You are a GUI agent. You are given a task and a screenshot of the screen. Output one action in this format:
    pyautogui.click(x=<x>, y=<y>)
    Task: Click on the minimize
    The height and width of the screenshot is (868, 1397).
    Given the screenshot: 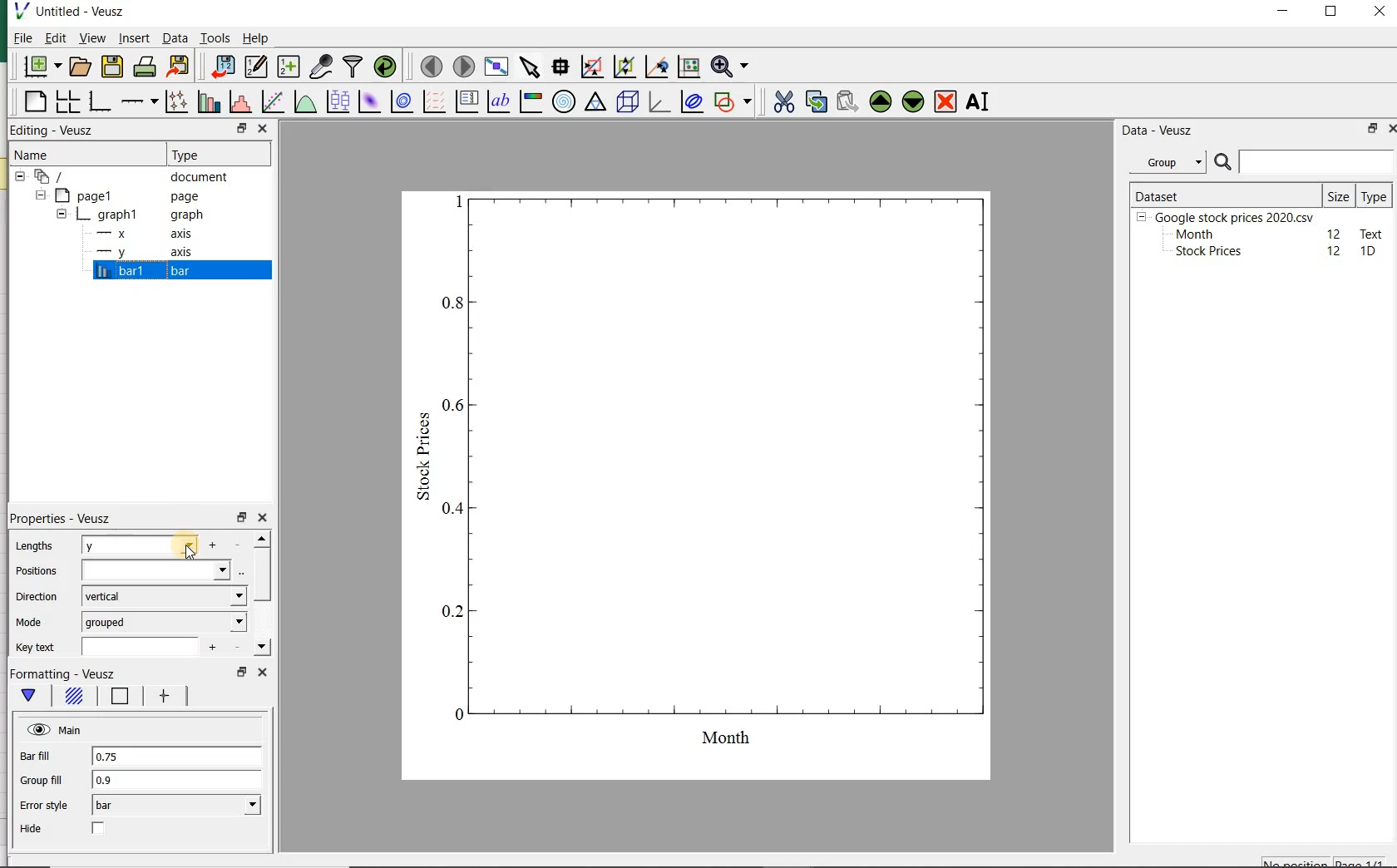 What is the action you would take?
    pyautogui.click(x=1284, y=12)
    